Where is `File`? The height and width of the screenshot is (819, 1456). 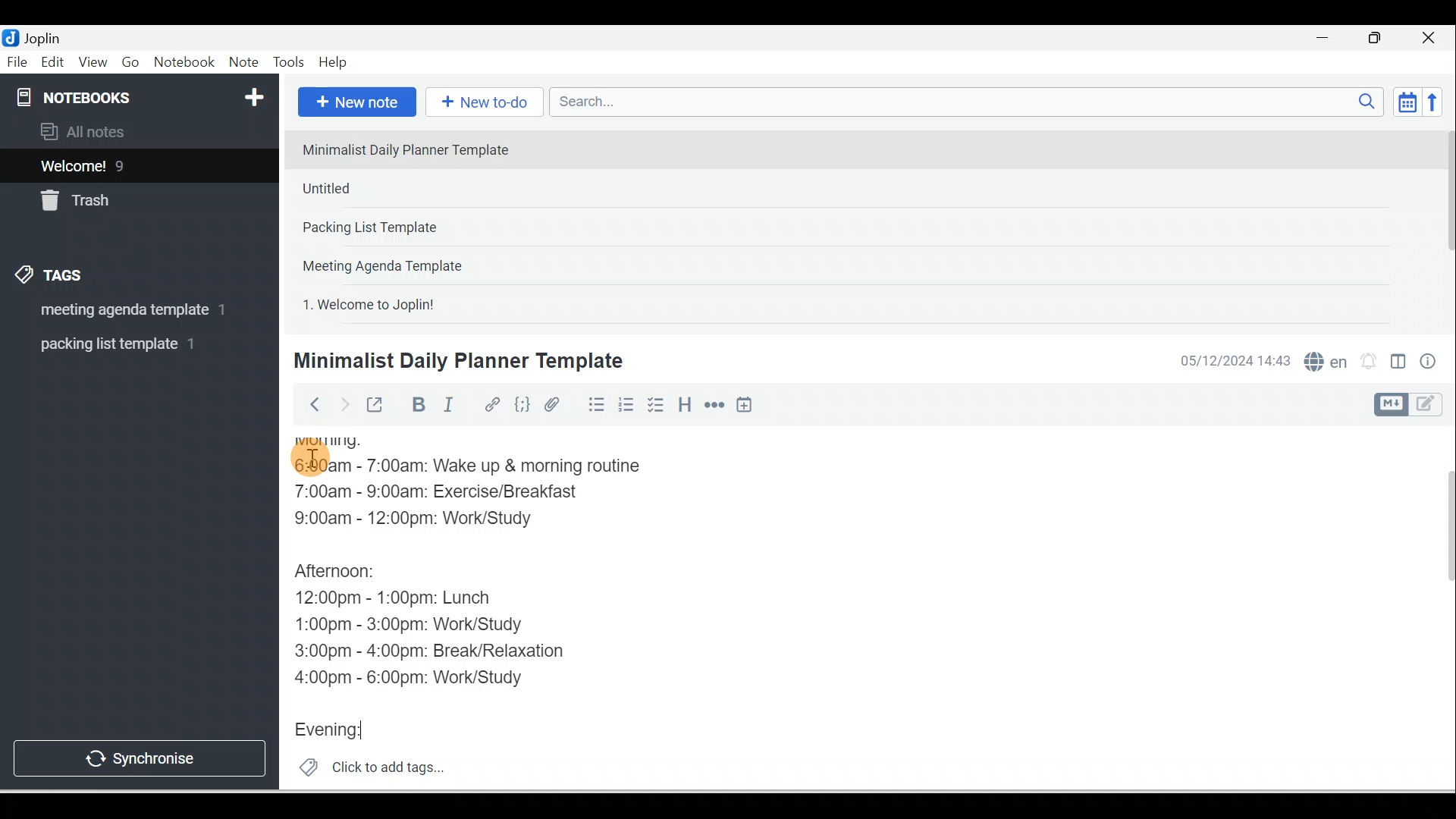
File is located at coordinates (18, 61).